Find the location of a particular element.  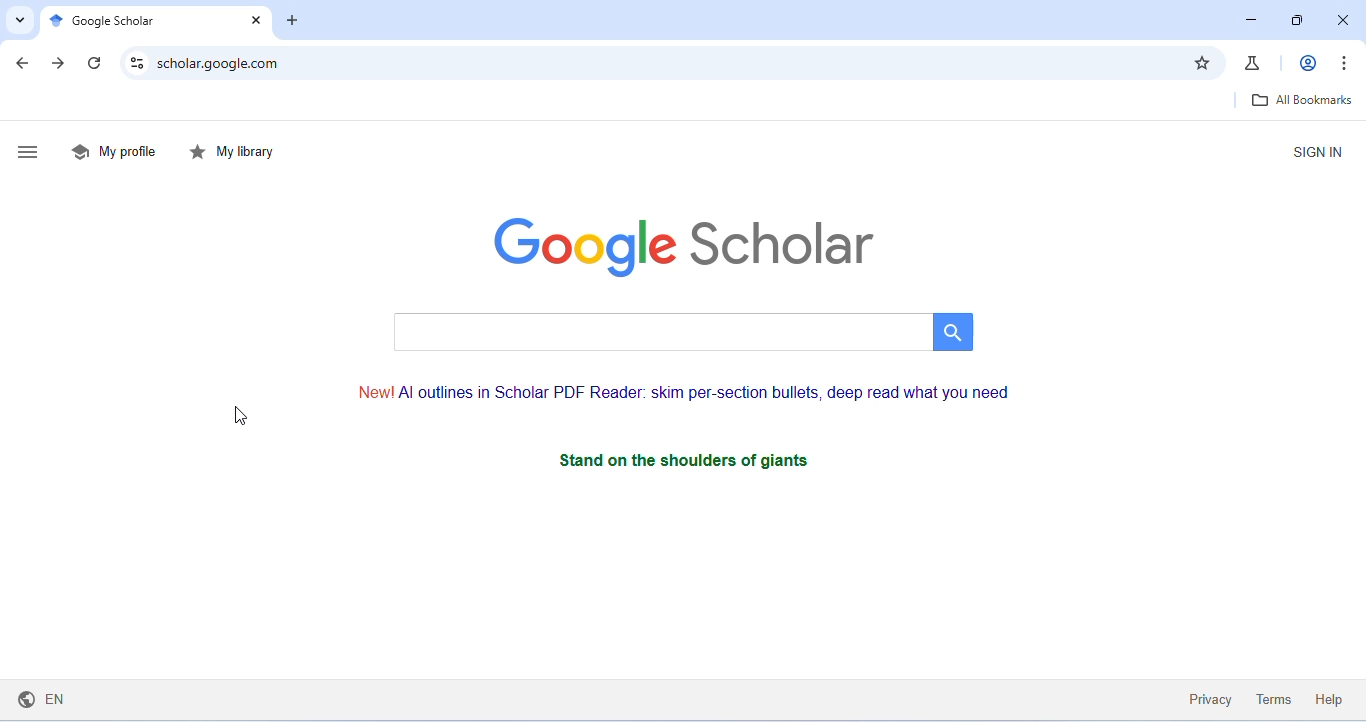

my library is located at coordinates (236, 153).